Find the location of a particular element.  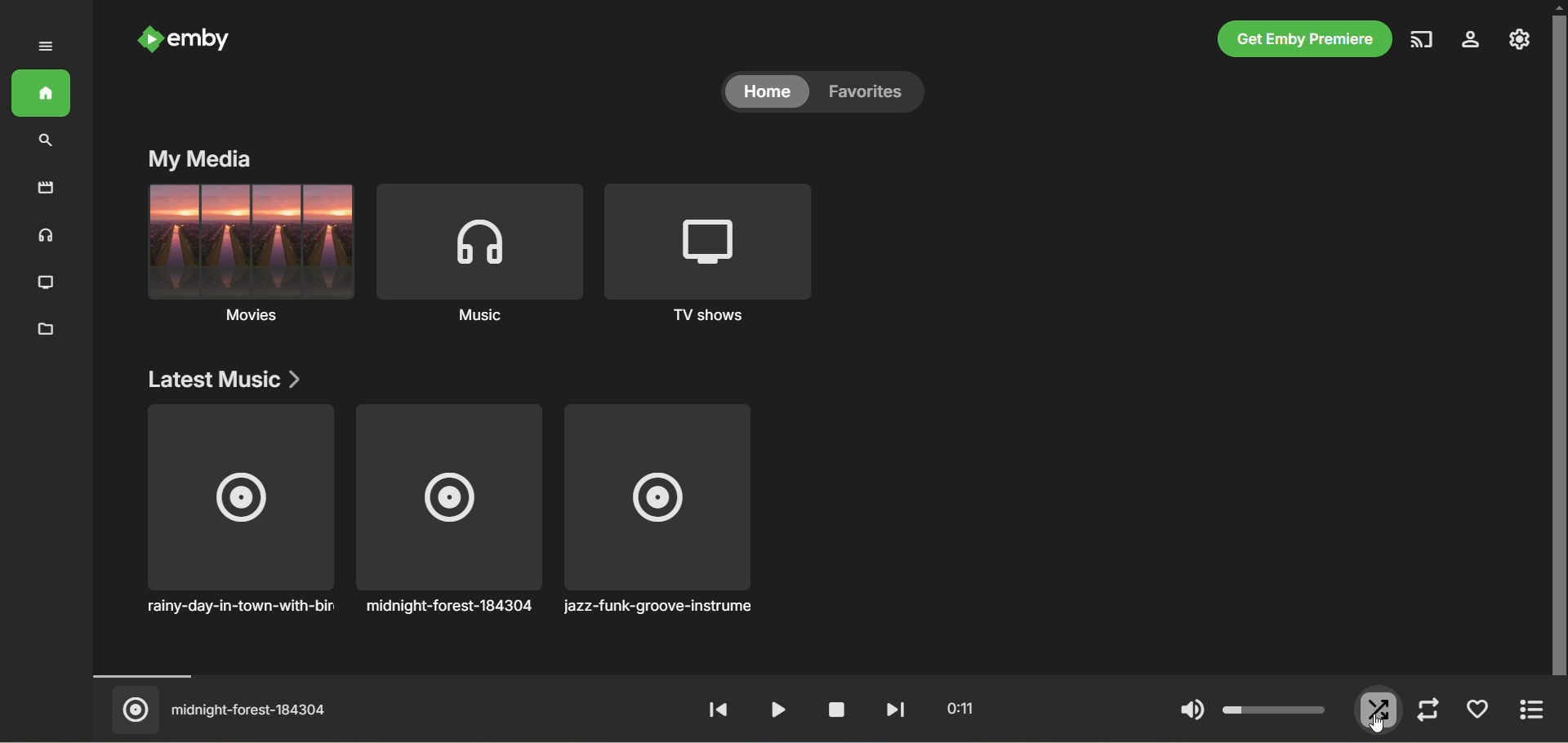

(©  midnight-forest-184304 is located at coordinates (224, 710).